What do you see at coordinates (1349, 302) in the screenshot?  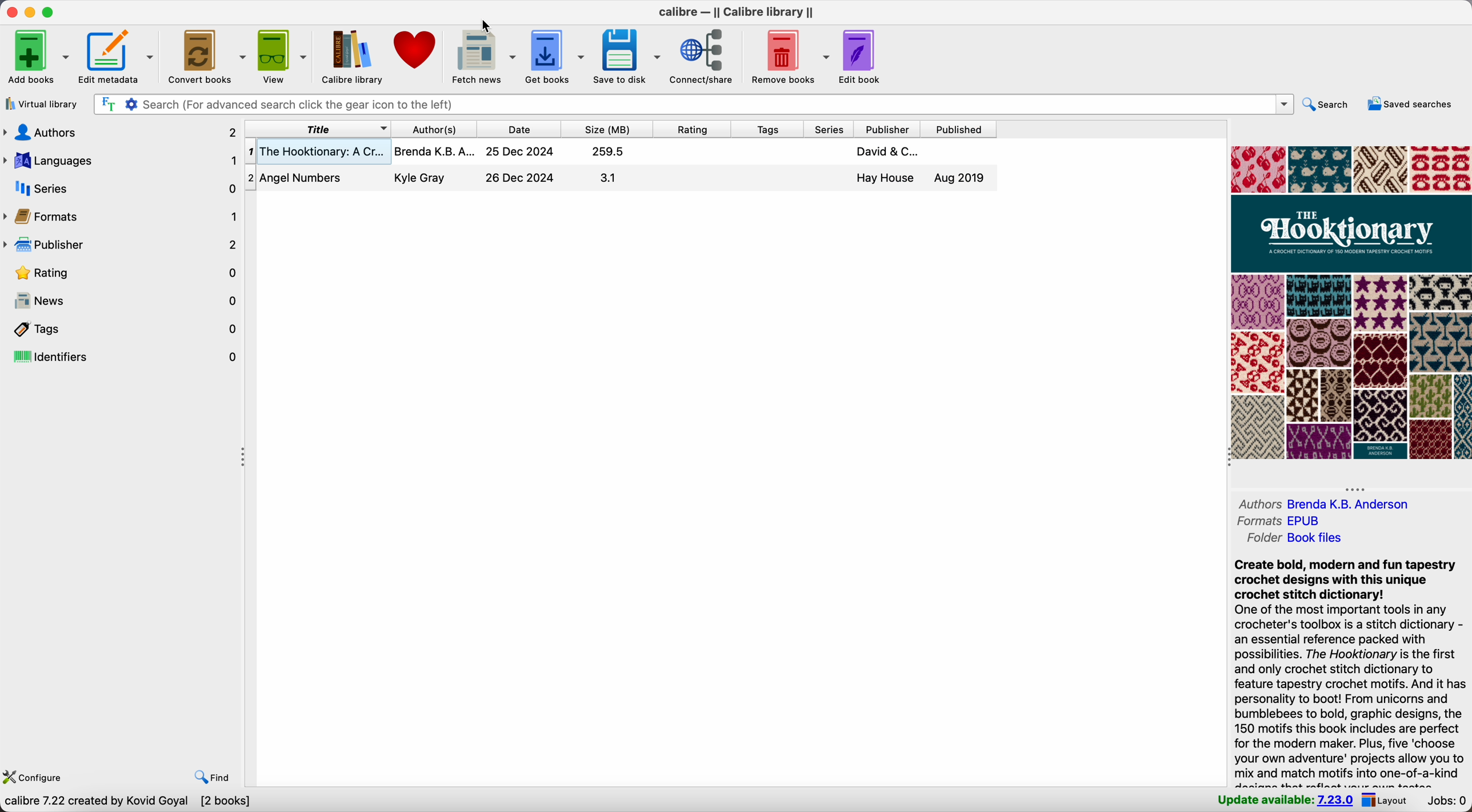 I see `book cover preview` at bounding box center [1349, 302].